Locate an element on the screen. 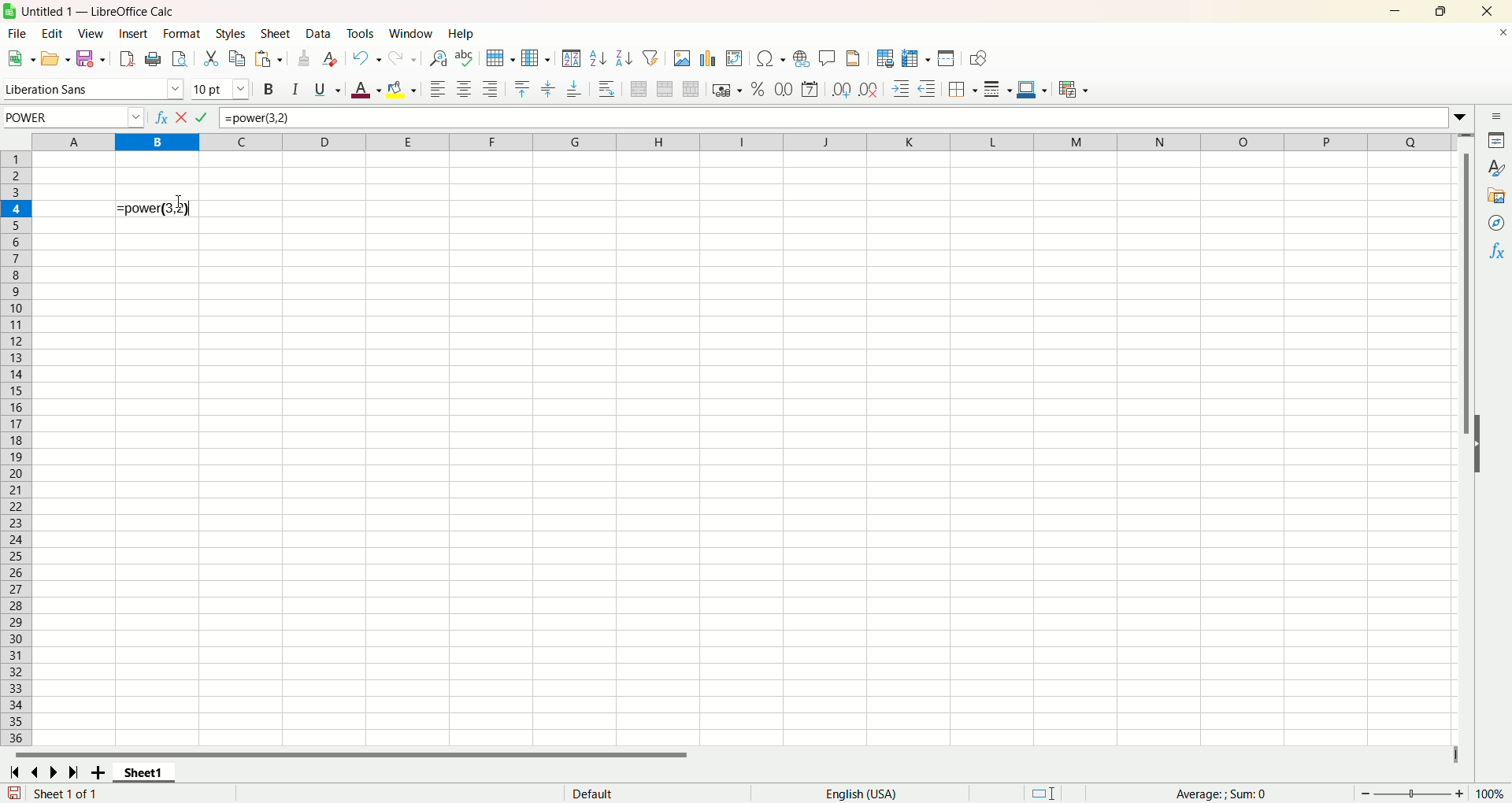  vertical scroll bar is located at coordinates (1467, 439).